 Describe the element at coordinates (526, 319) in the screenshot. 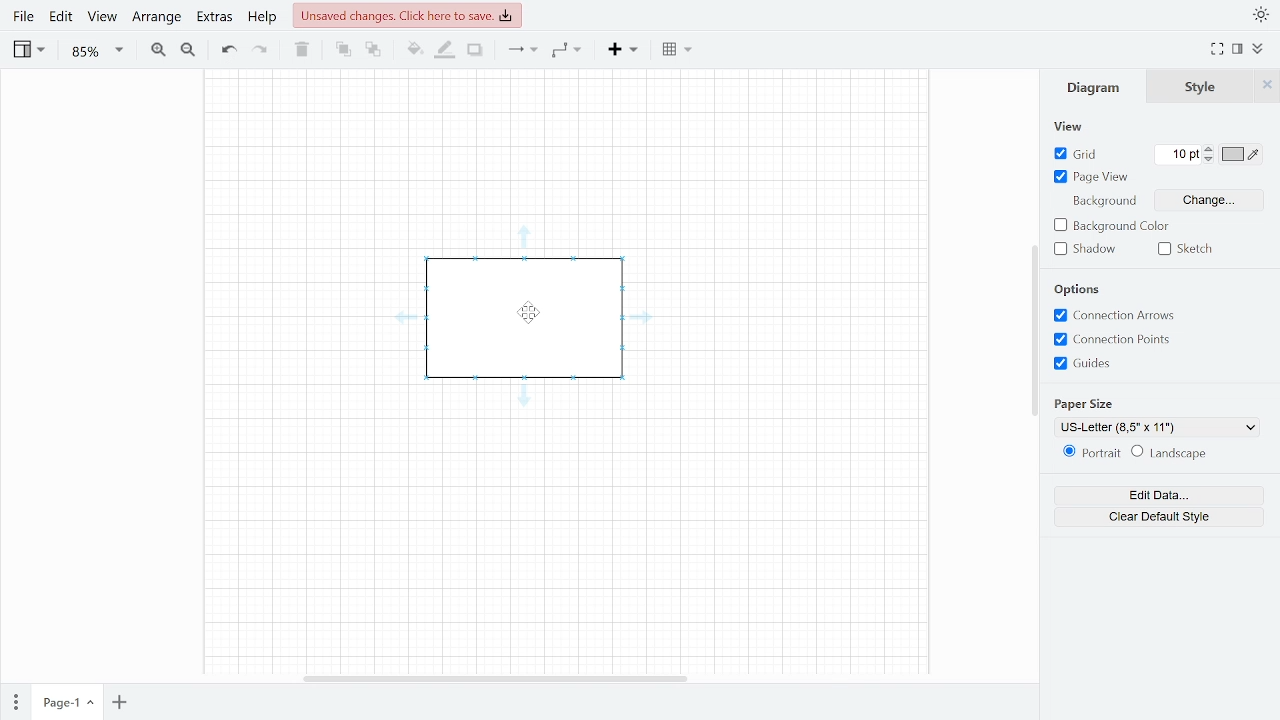

I see `Current shape` at that location.